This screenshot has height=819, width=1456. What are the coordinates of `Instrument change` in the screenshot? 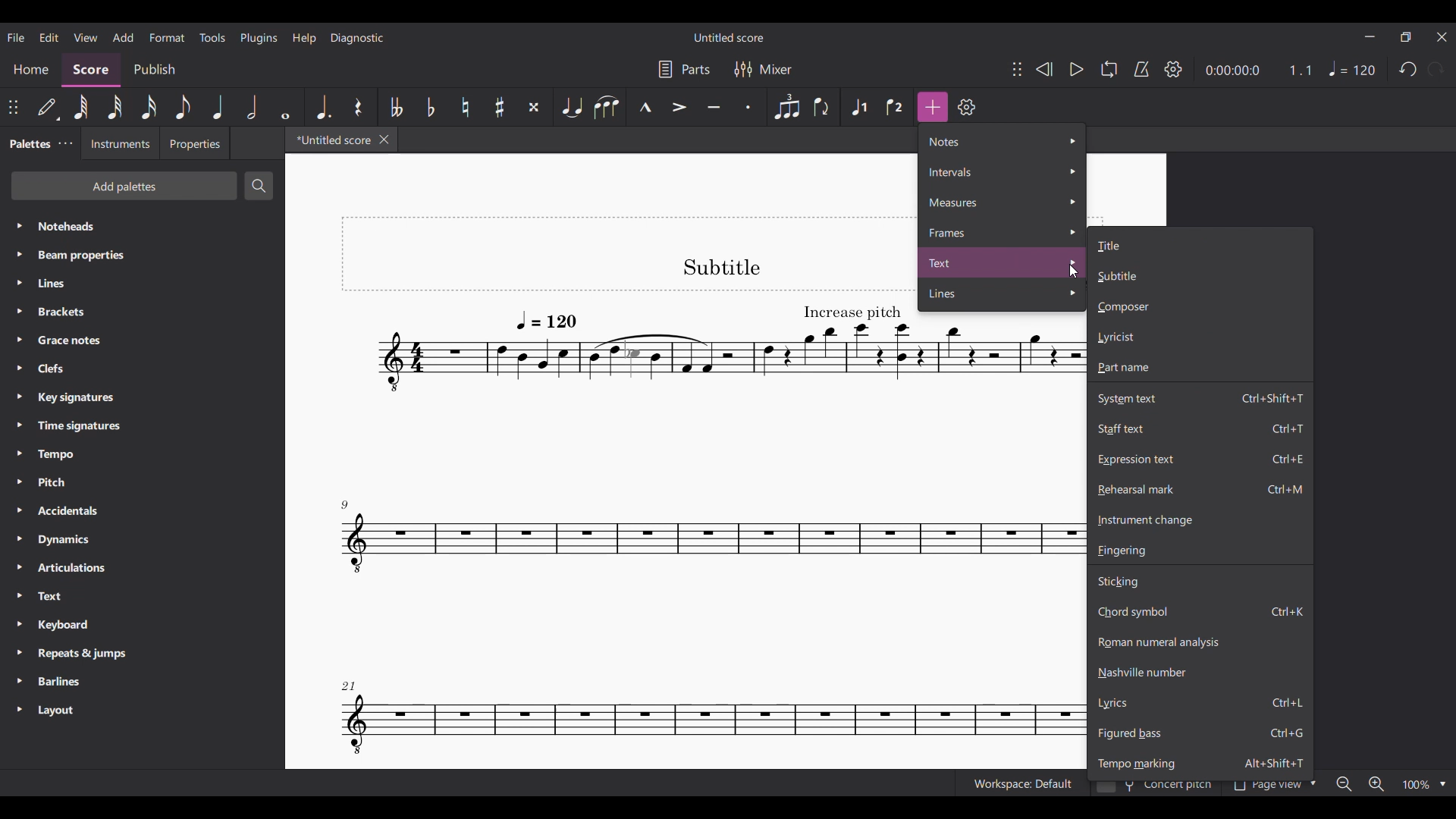 It's located at (1200, 520).